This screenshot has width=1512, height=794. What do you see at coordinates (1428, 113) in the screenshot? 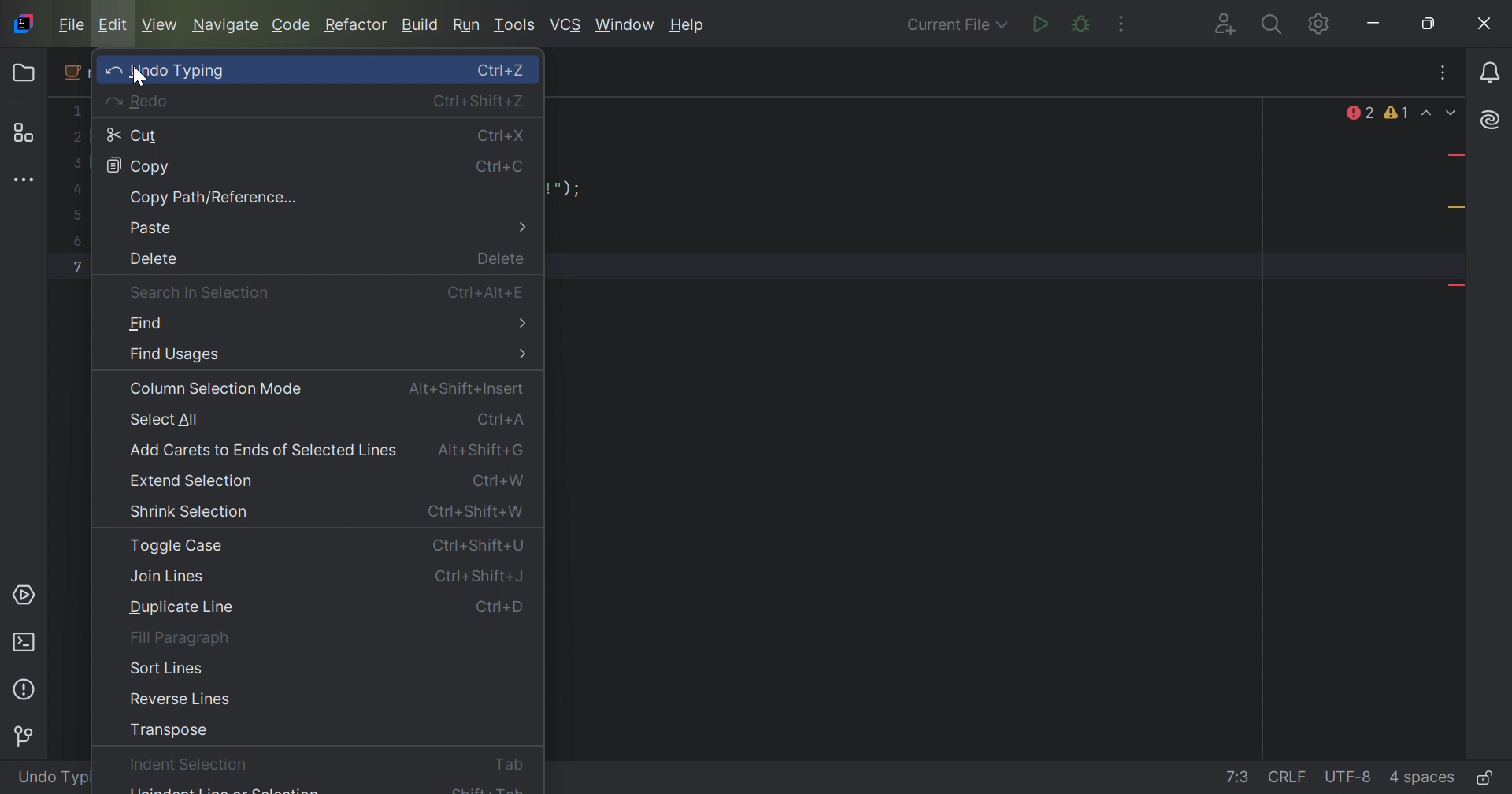
I see `Previous Highlighted Error` at bounding box center [1428, 113].